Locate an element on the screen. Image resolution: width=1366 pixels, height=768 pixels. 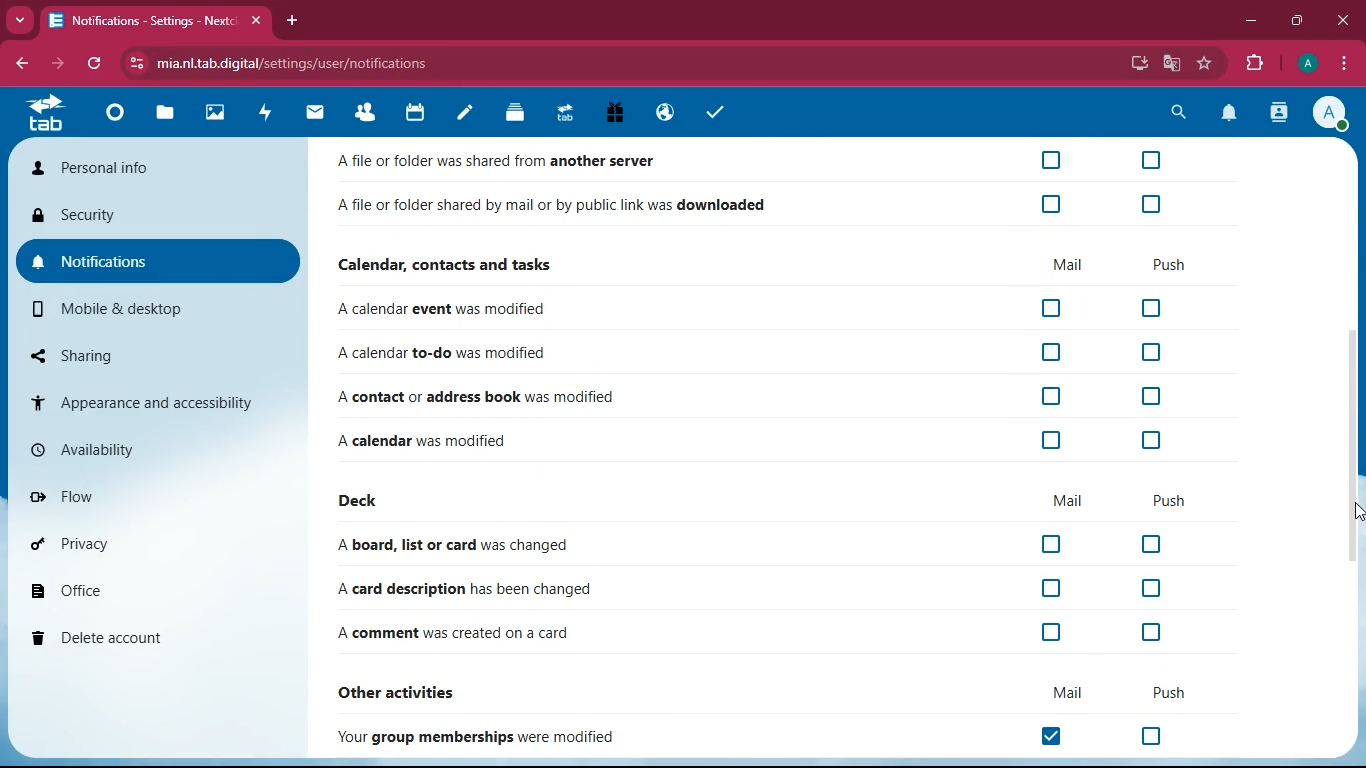
friends is located at coordinates (370, 112).